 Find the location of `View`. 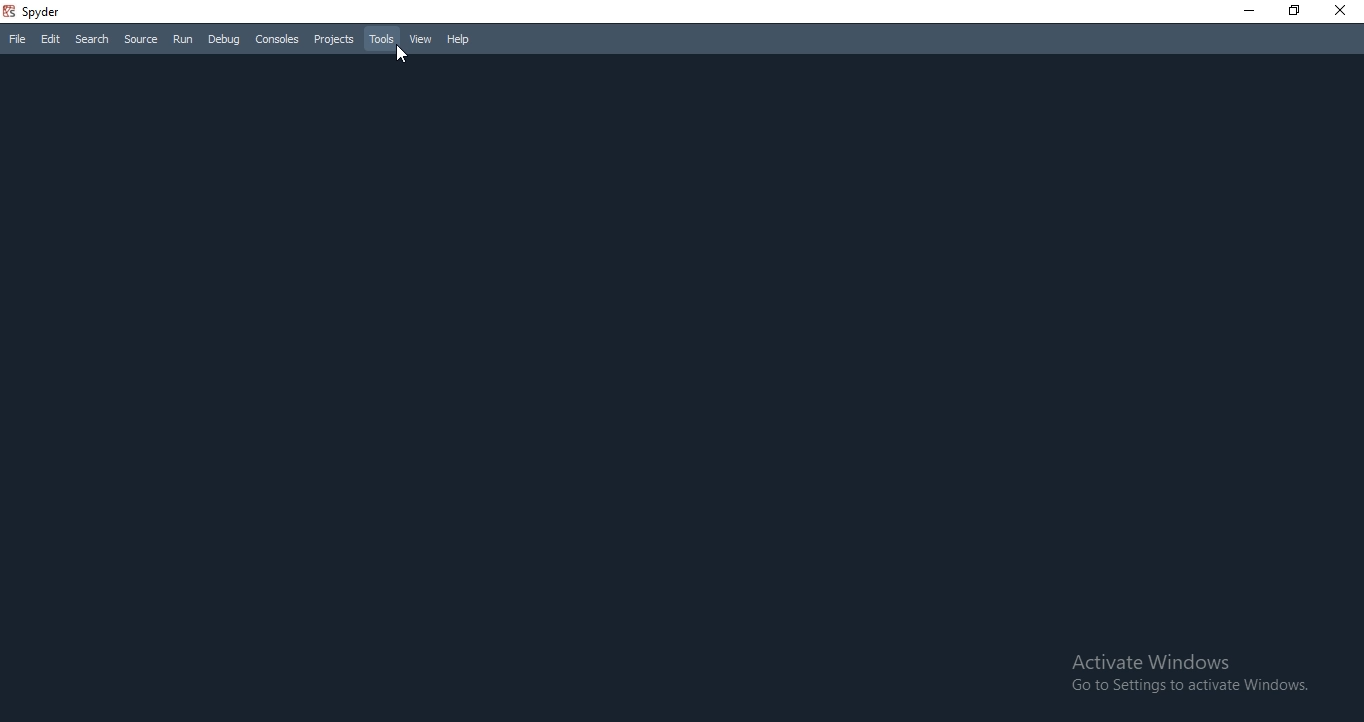

View is located at coordinates (419, 40).